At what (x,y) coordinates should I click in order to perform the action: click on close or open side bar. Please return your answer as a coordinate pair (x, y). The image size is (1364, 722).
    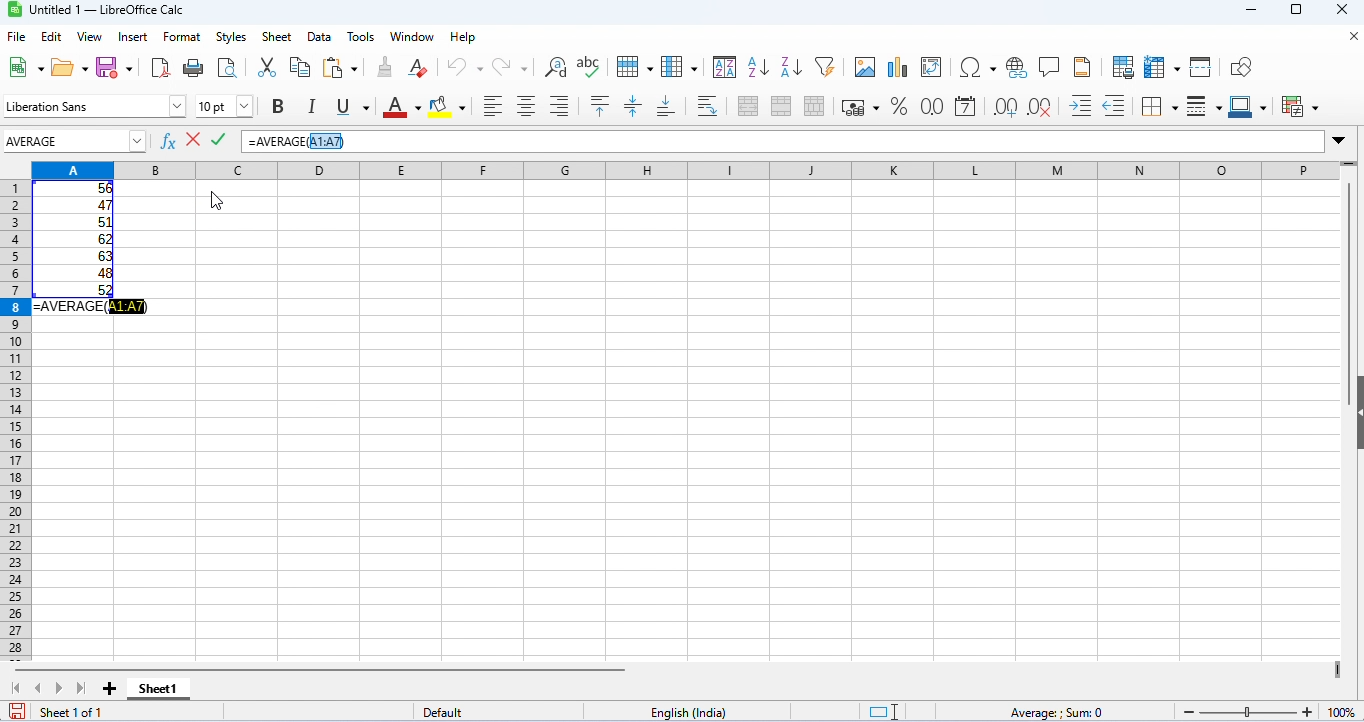
    Looking at the image, I should click on (1355, 428).